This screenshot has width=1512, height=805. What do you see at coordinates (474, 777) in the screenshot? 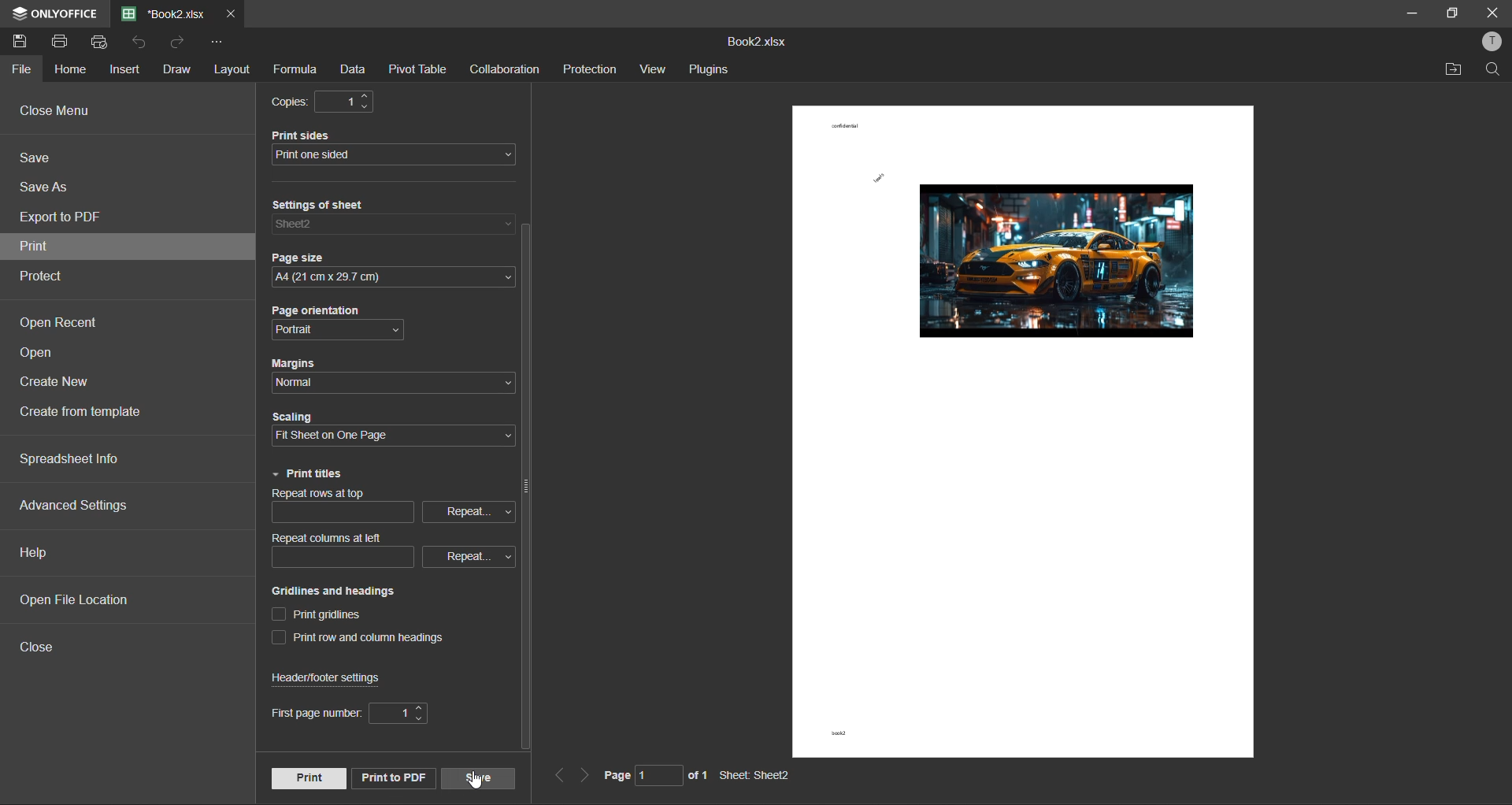
I see `save` at bounding box center [474, 777].